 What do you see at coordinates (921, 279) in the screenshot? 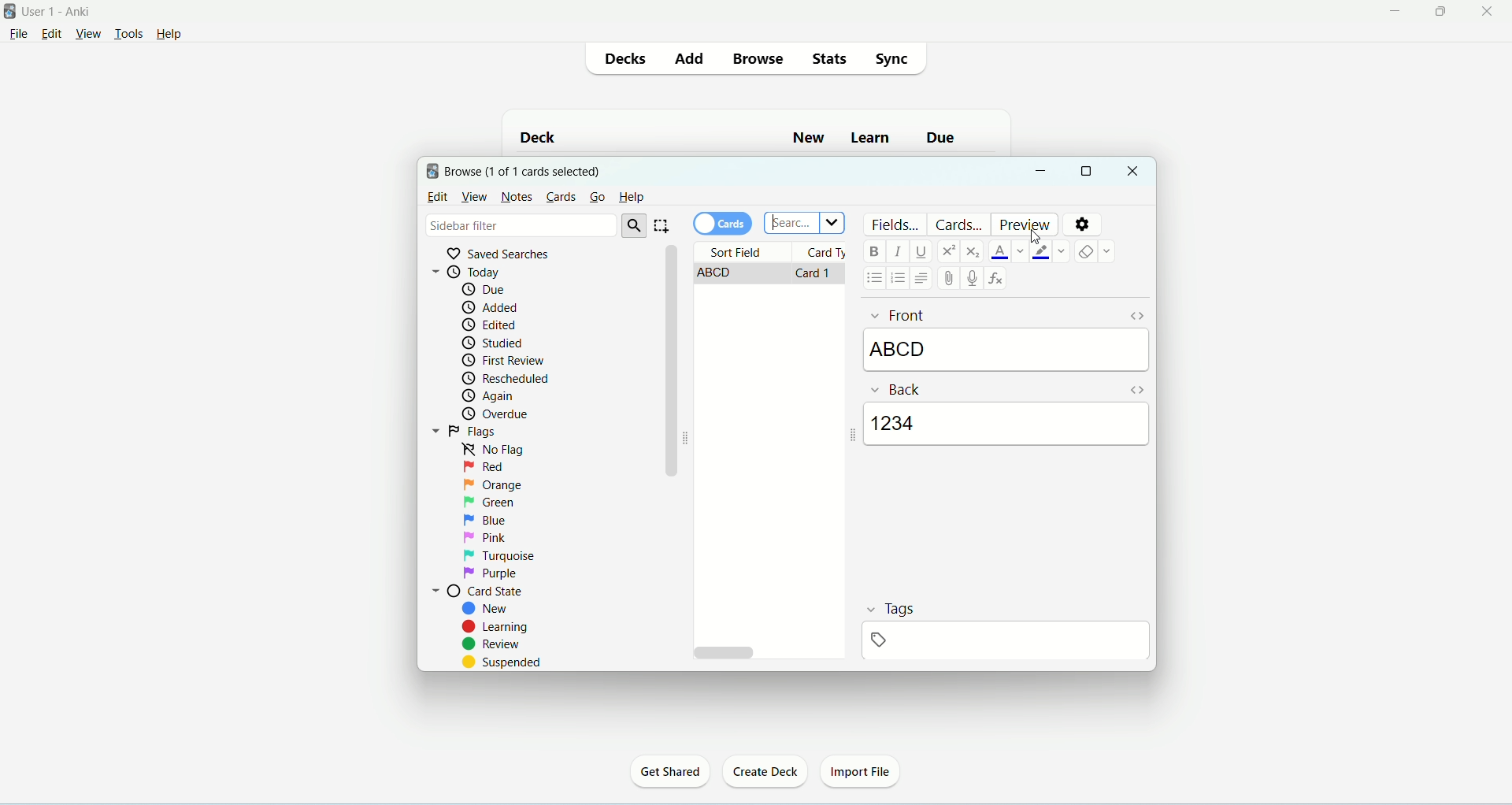
I see `allignment` at bounding box center [921, 279].